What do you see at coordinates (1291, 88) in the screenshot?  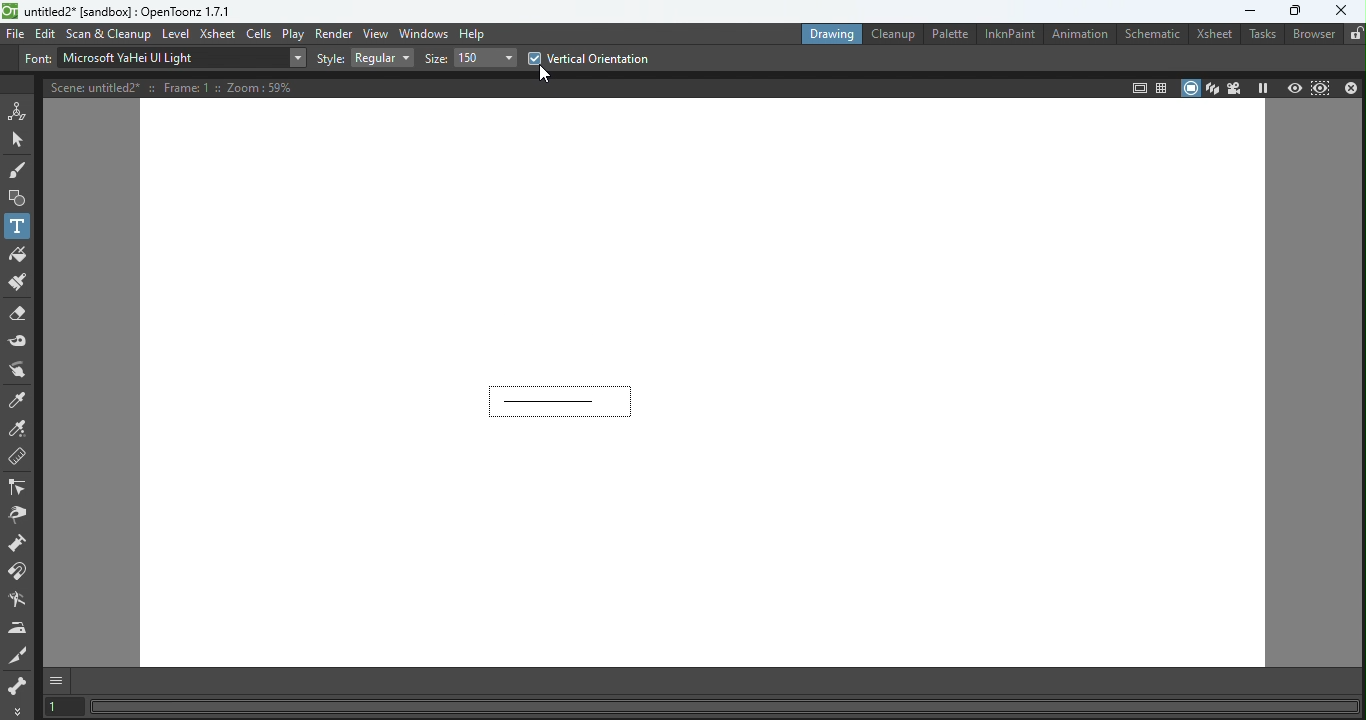 I see `Preview` at bounding box center [1291, 88].